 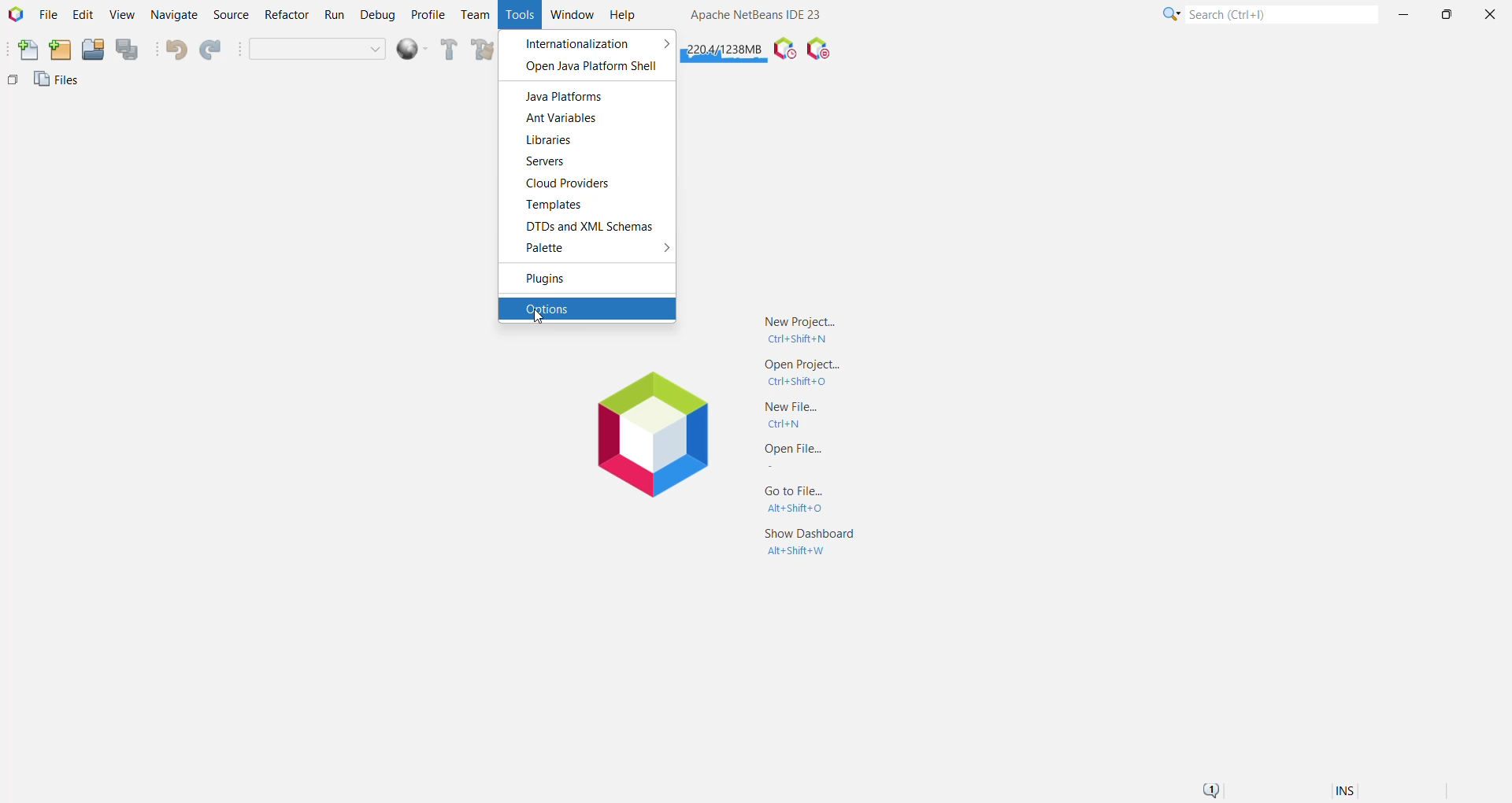 I want to click on New File, so click(x=24, y=51).